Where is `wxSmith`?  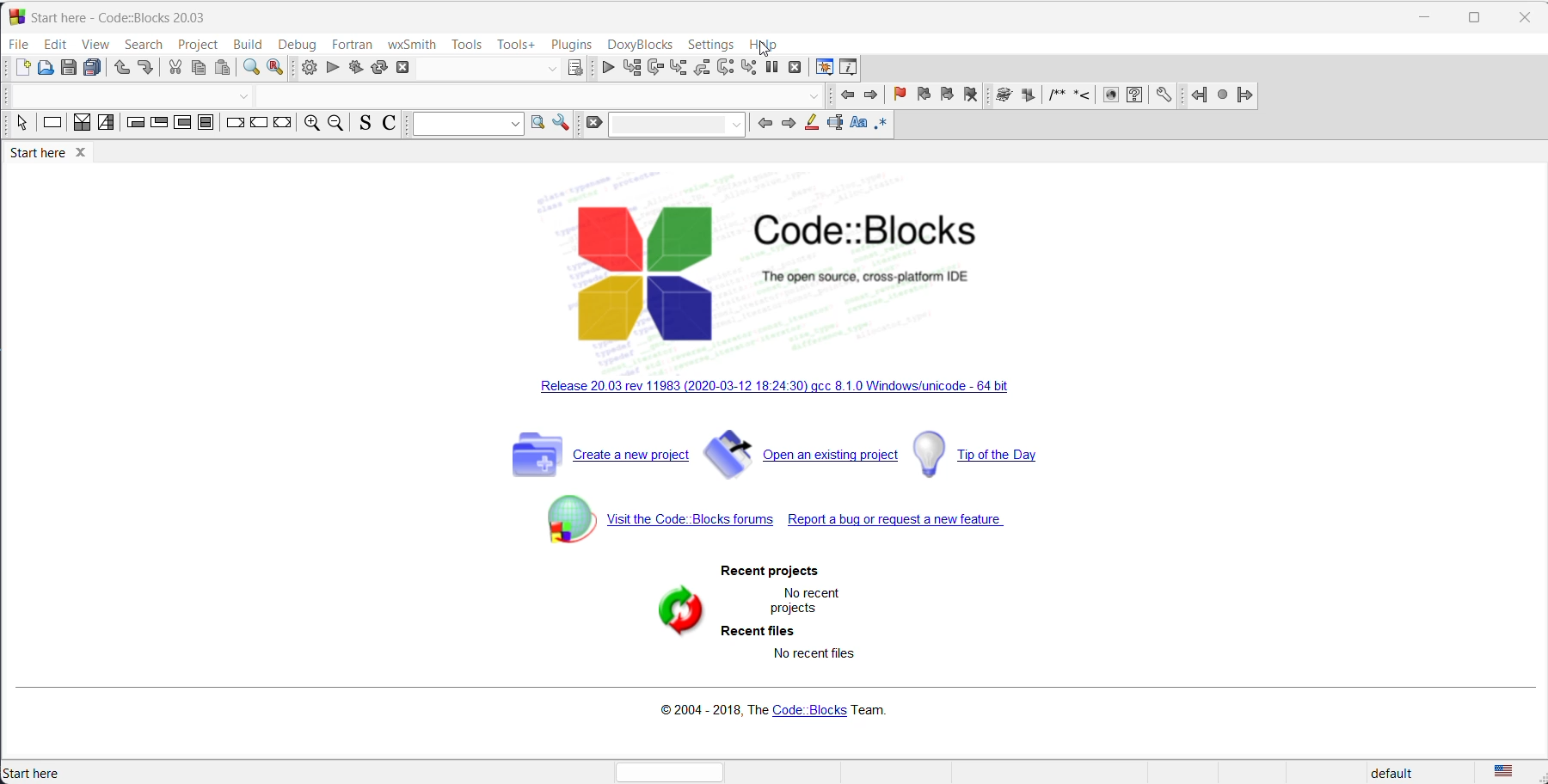 wxSmith is located at coordinates (411, 44).